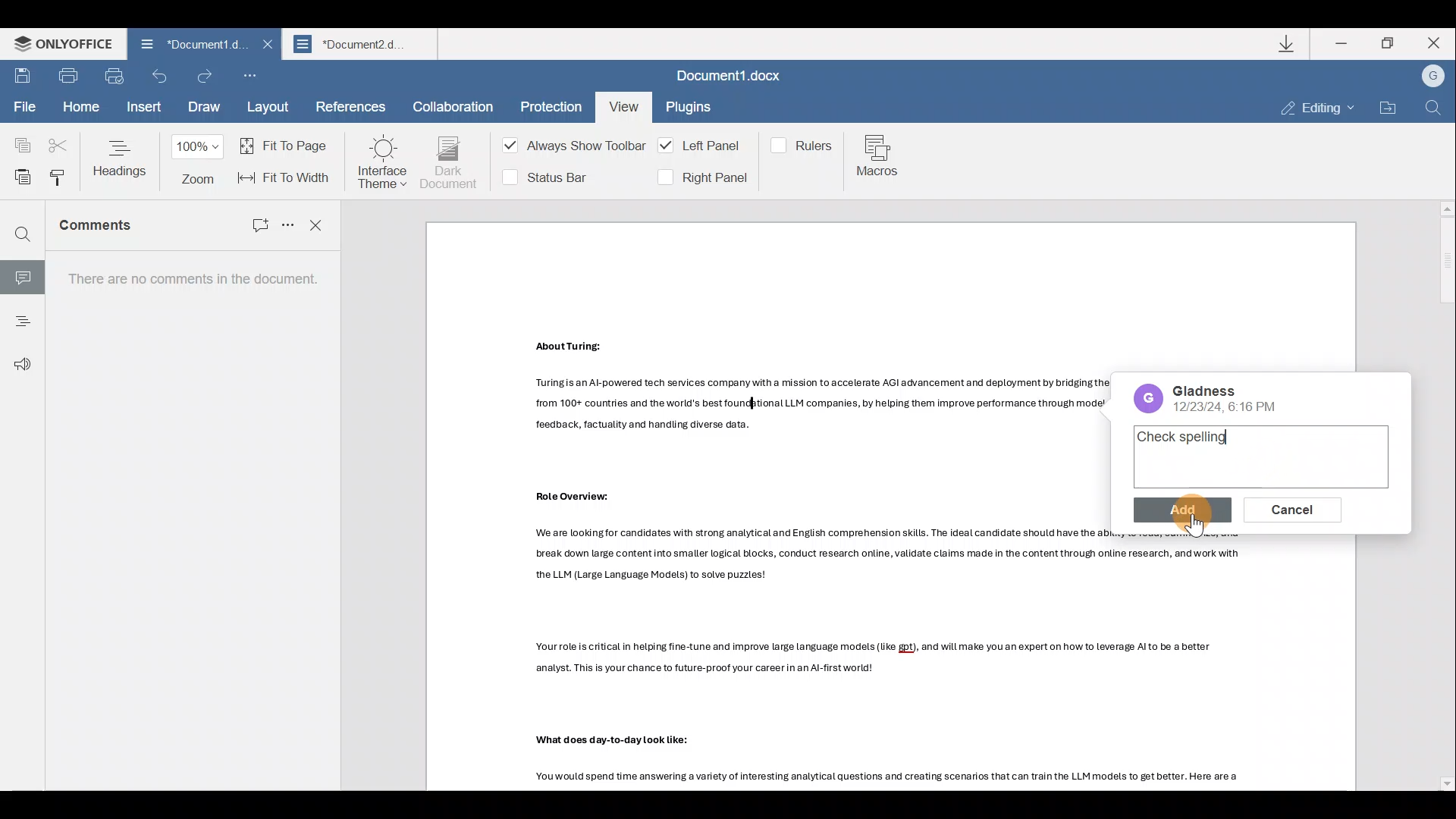 This screenshot has height=819, width=1456. Describe the element at coordinates (1262, 456) in the screenshot. I see `Comment box` at that location.